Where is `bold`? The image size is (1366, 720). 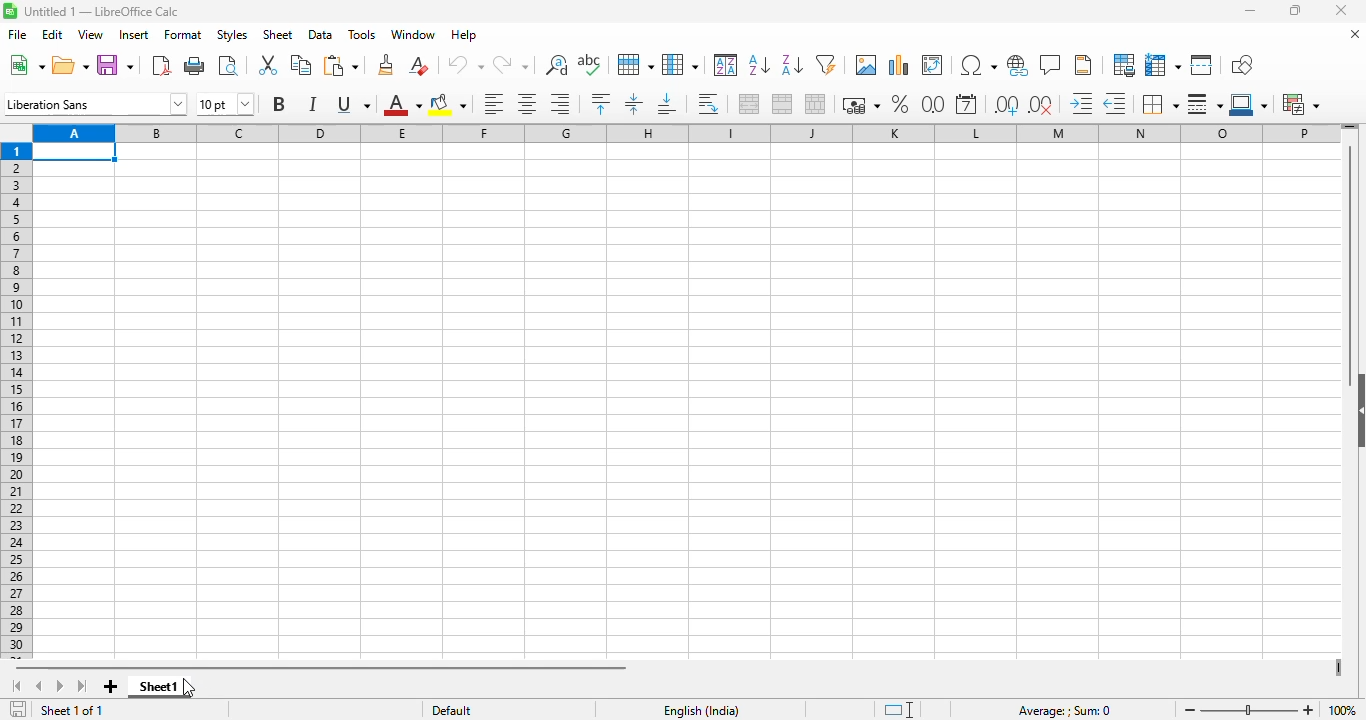 bold is located at coordinates (279, 103).